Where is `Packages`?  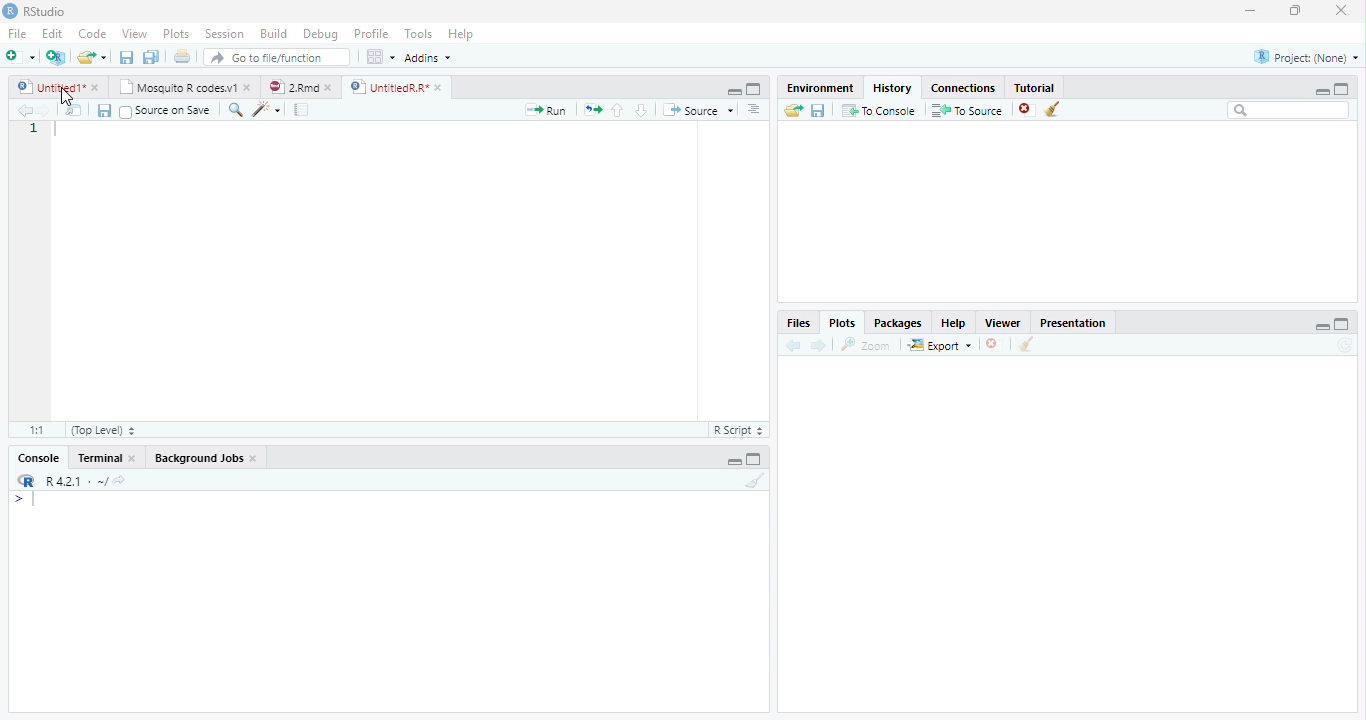
Packages is located at coordinates (896, 323).